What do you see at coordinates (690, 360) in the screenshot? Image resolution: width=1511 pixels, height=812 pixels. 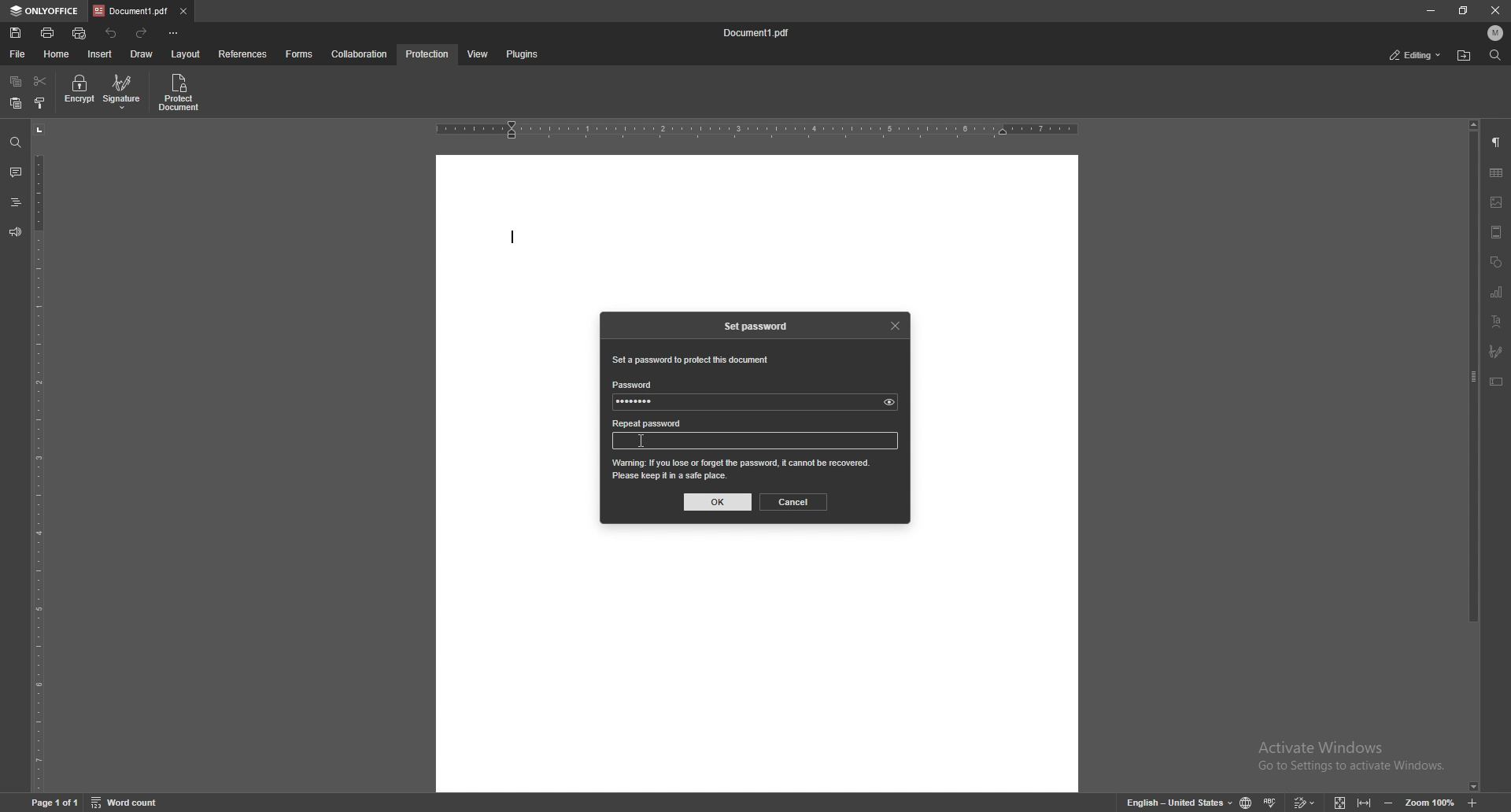 I see `set a password` at bounding box center [690, 360].